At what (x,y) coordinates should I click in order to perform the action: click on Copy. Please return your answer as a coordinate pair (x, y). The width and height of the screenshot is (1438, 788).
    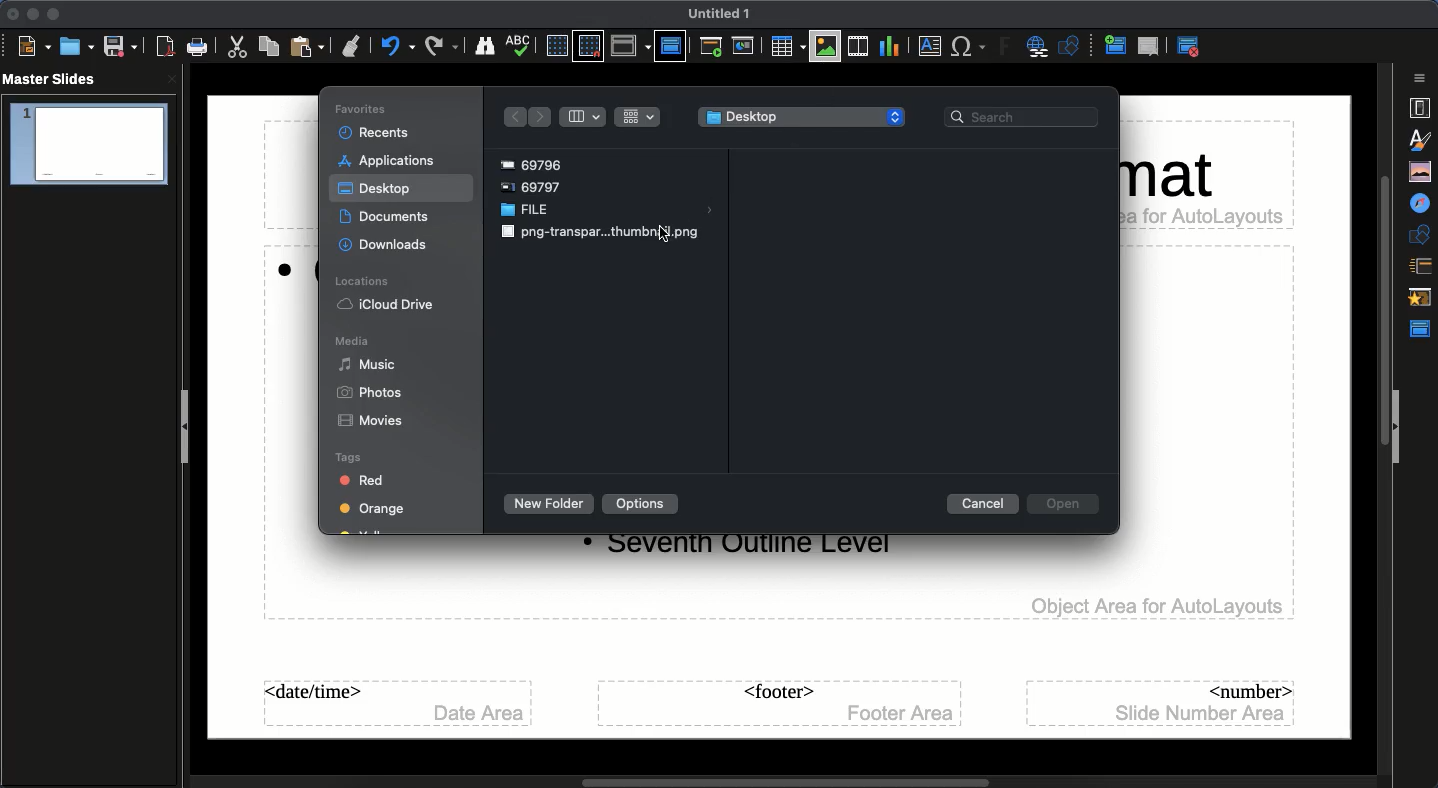
    Looking at the image, I should click on (269, 46).